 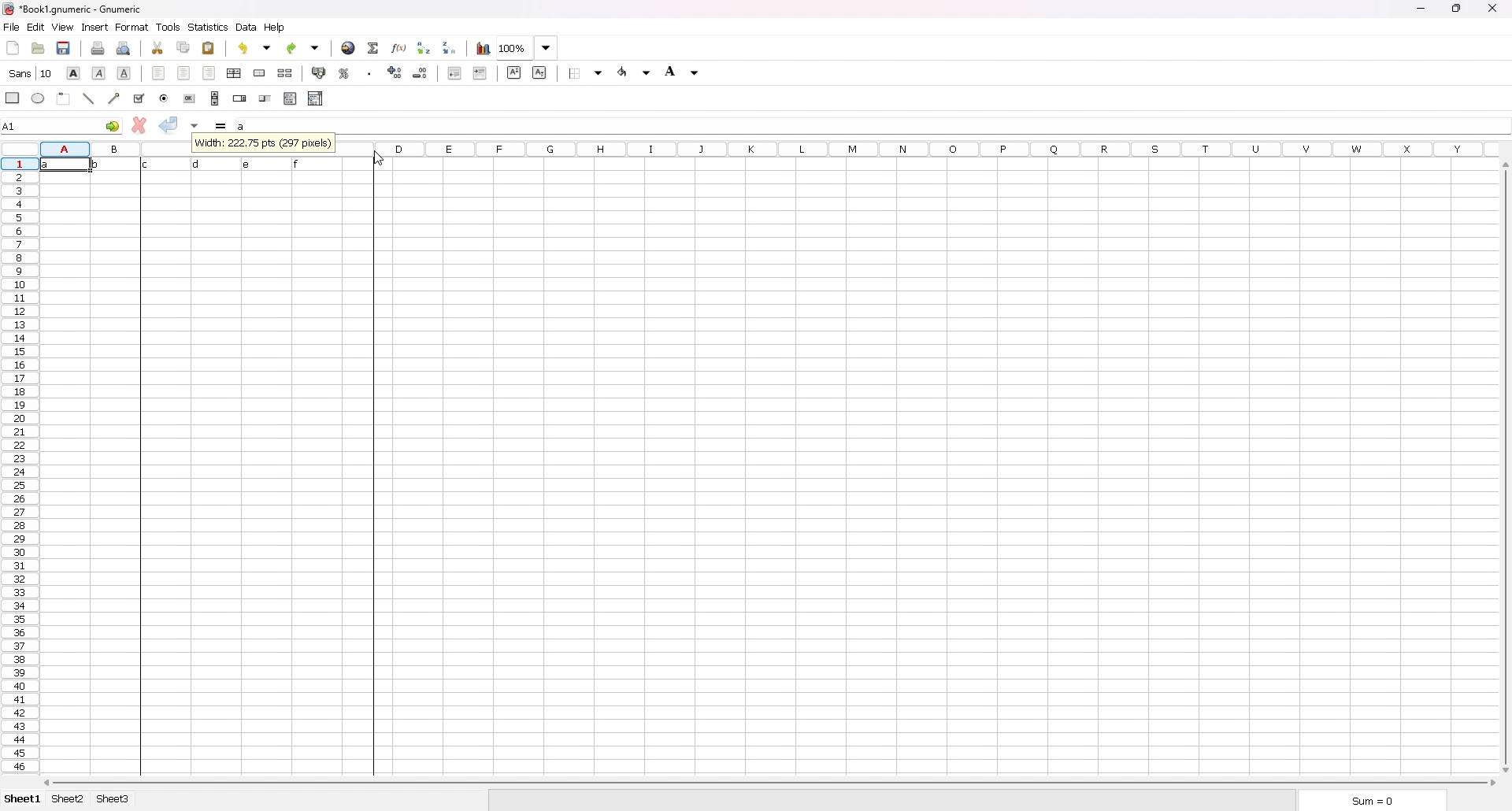 What do you see at coordinates (89, 98) in the screenshot?
I see `line` at bounding box center [89, 98].